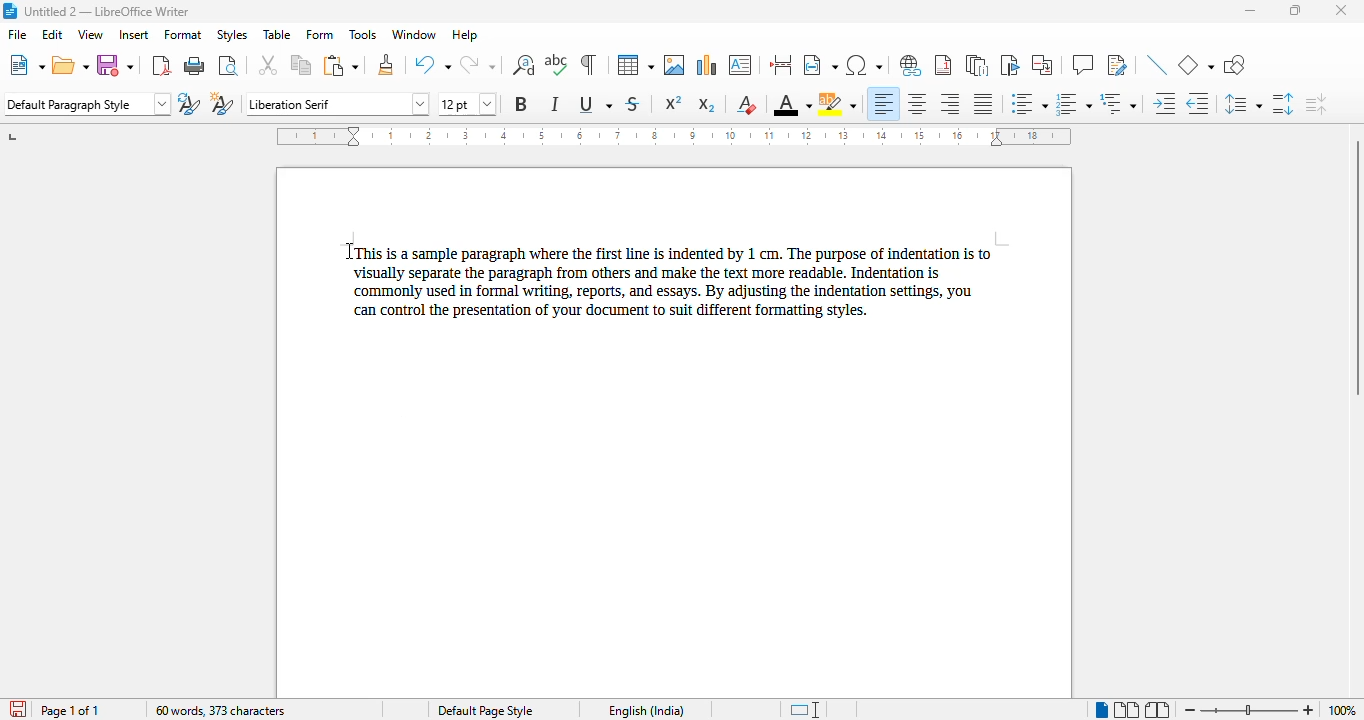 This screenshot has width=1364, height=720. Describe the element at coordinates (9, 11) in the screenshot. I see `logo` at that location.